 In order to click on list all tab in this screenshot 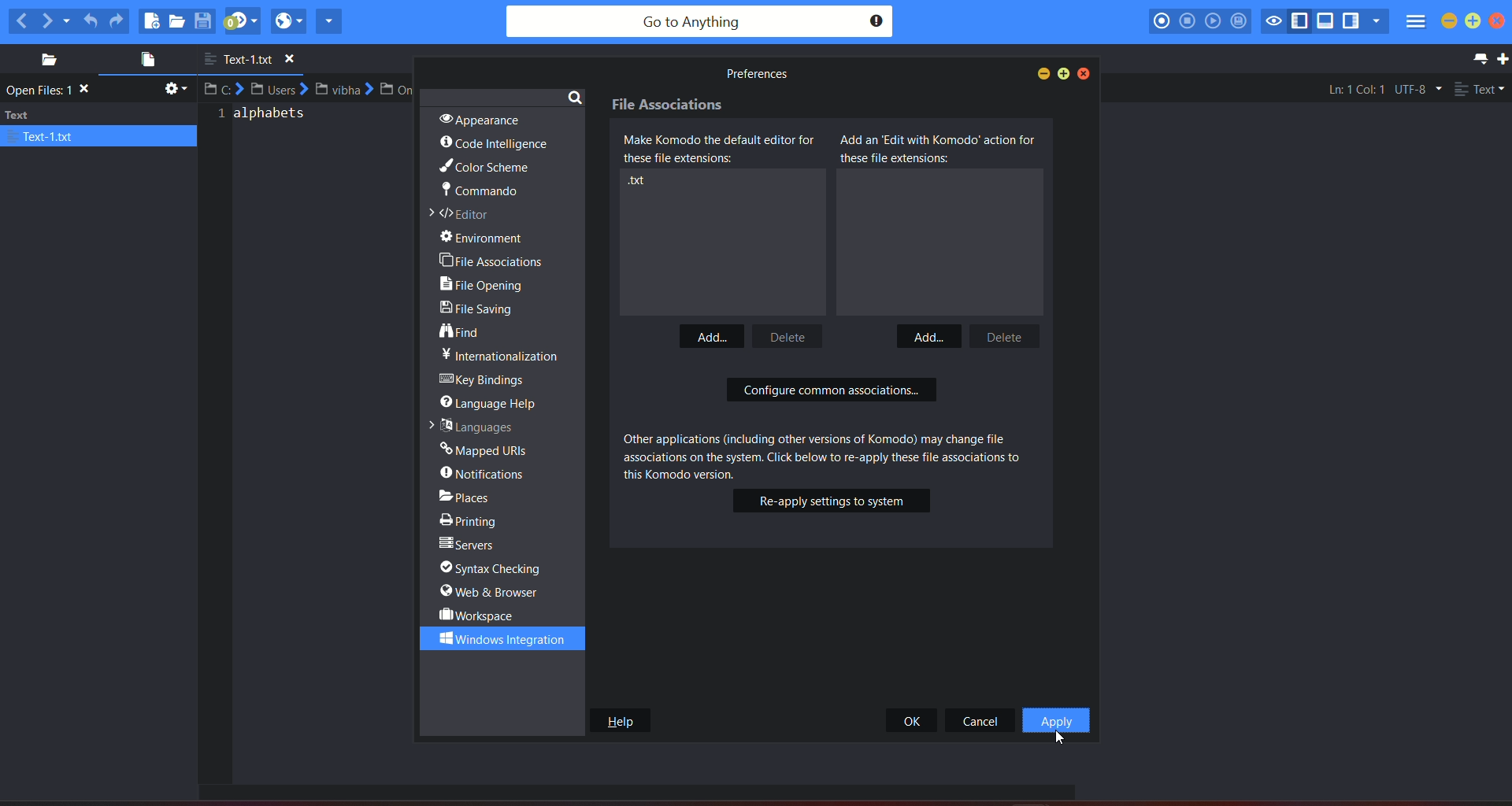, I will do `click(1477, 58)`.